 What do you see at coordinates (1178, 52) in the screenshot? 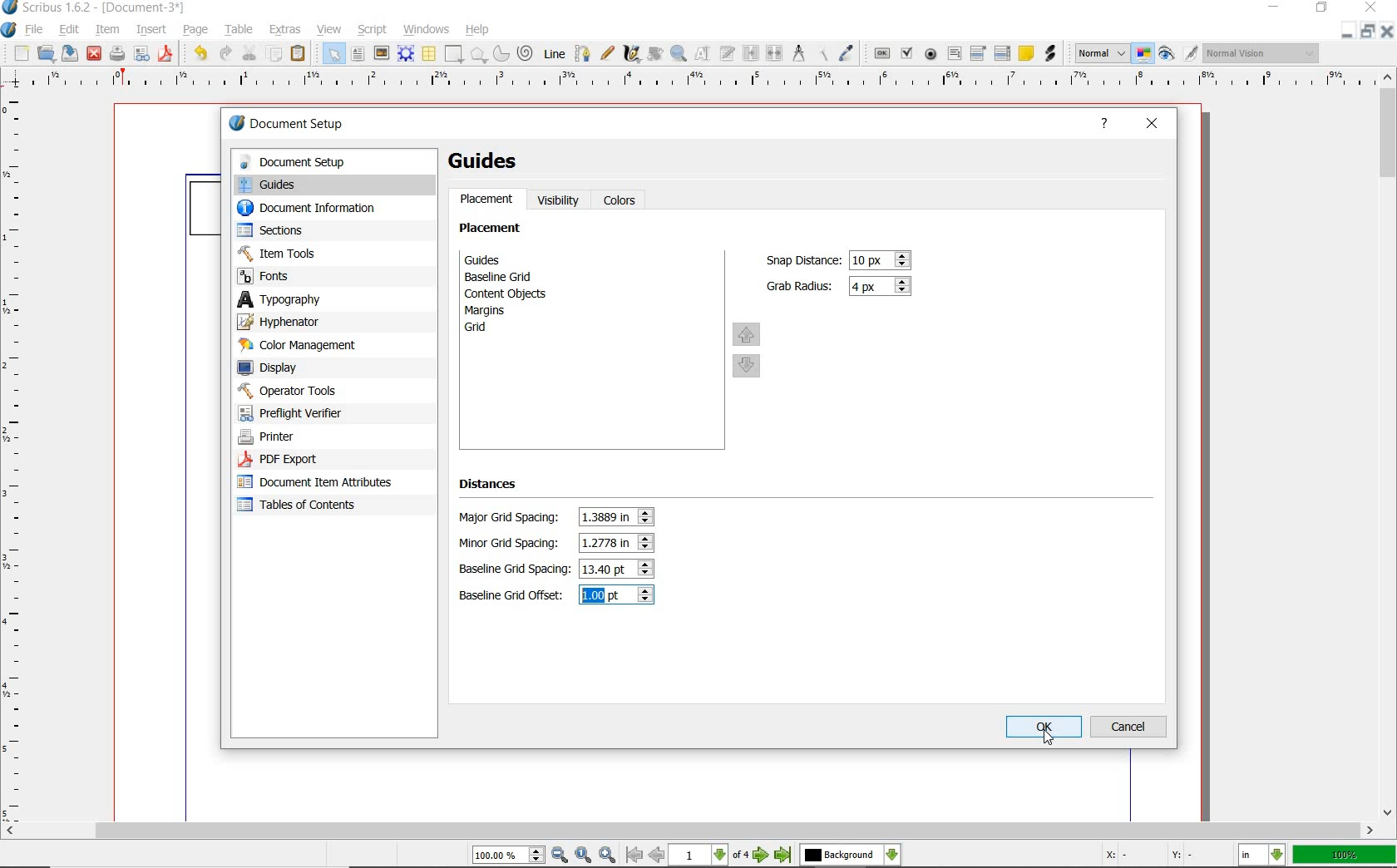
I see `preview mode` at bounding box center [1178, 52].